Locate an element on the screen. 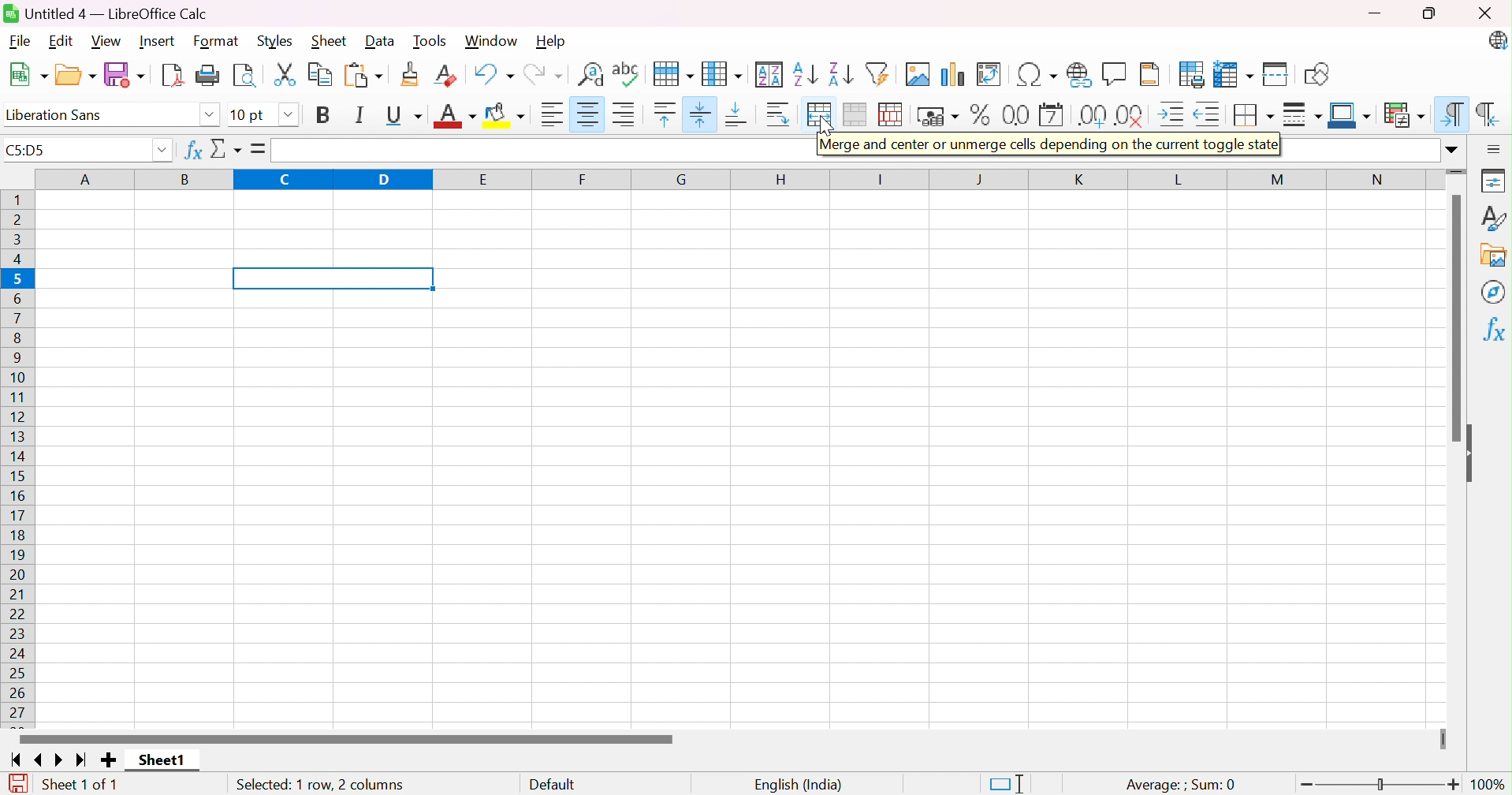 The image size is (1512, 795). The document has been modified. Click to save the document. is located at coordinates (17, 782).